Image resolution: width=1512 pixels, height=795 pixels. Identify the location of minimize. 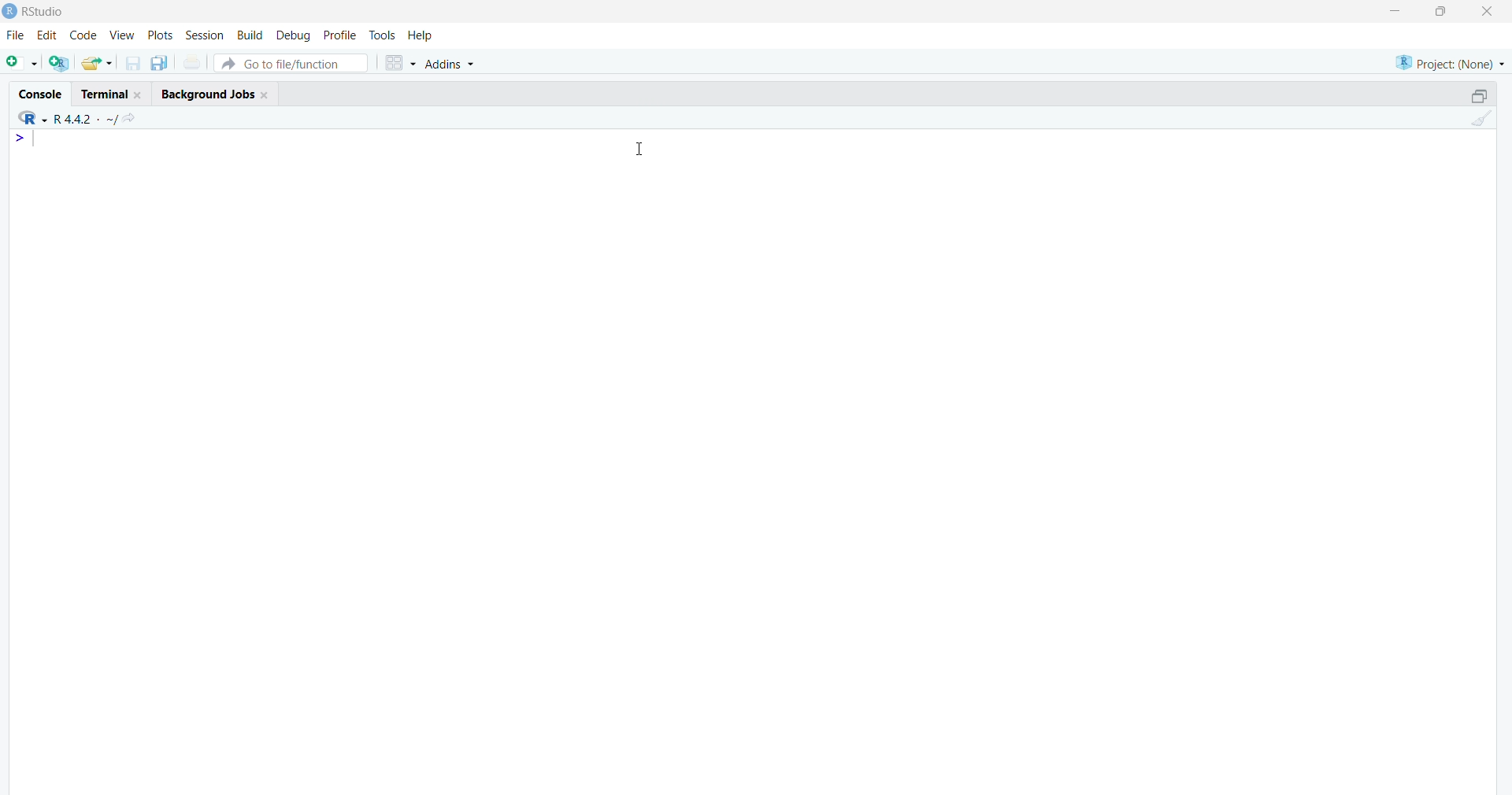
(1400, 11).